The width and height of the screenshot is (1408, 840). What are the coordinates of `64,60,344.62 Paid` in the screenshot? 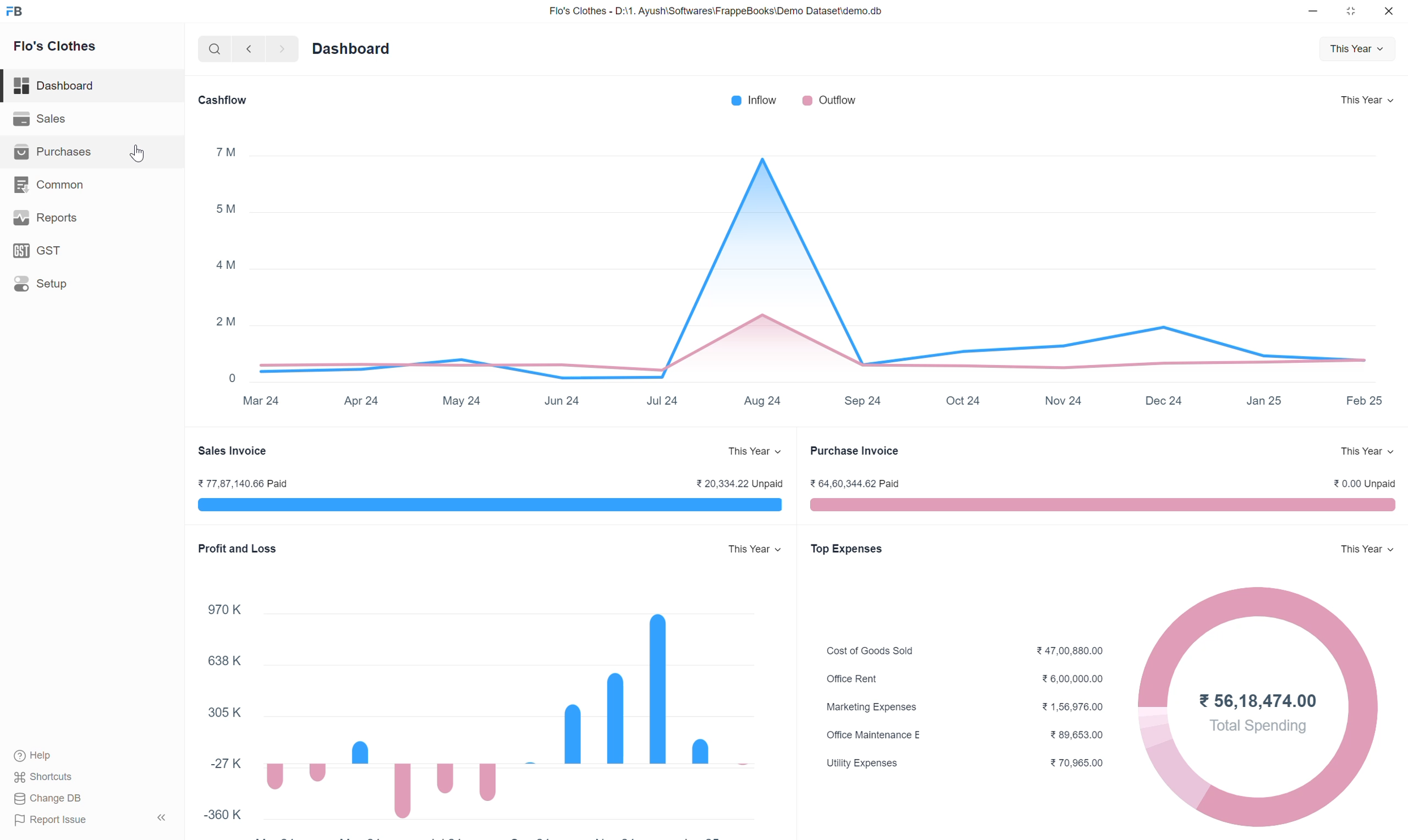 It's located at (855, 483).